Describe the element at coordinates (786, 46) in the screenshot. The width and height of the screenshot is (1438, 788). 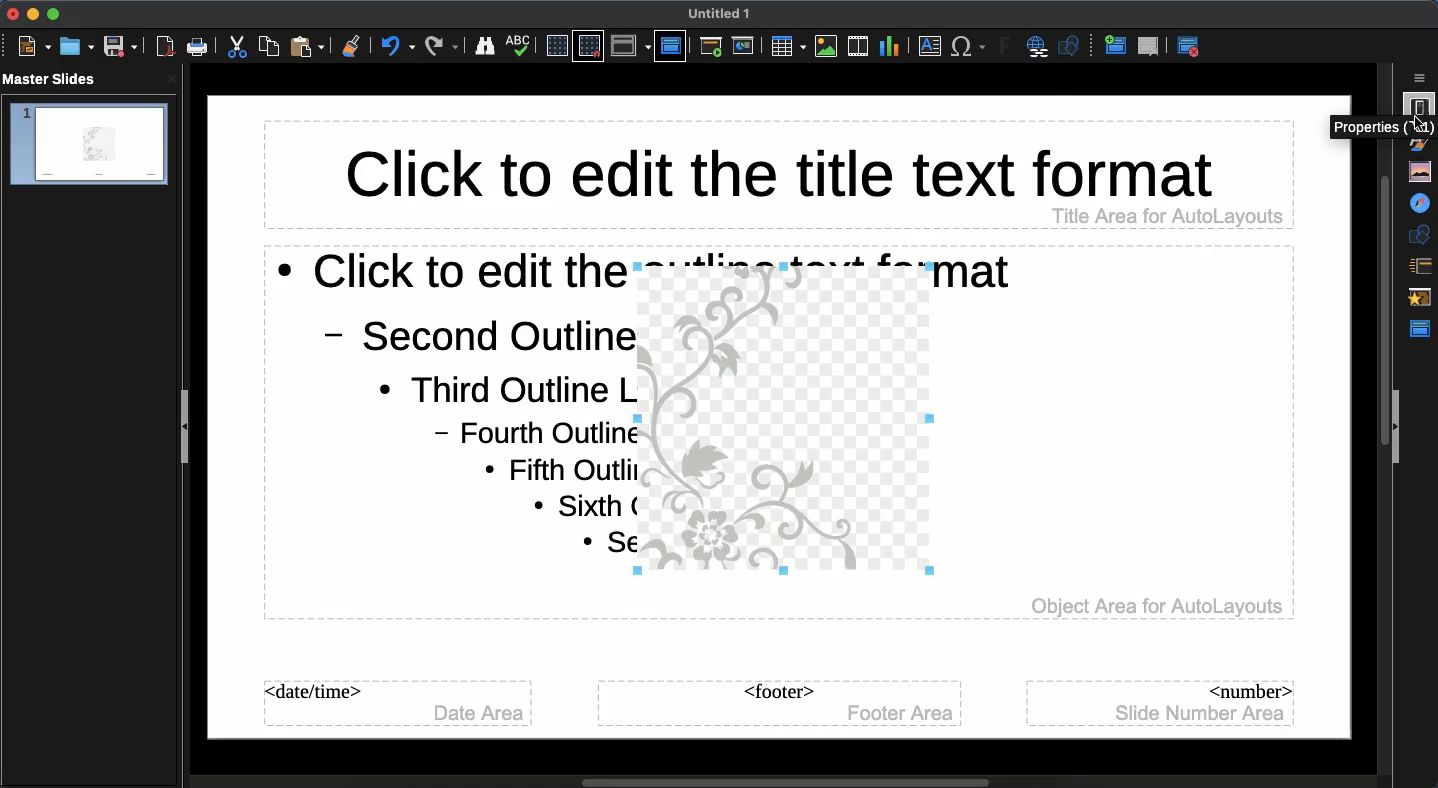
I see `Table` at that location.